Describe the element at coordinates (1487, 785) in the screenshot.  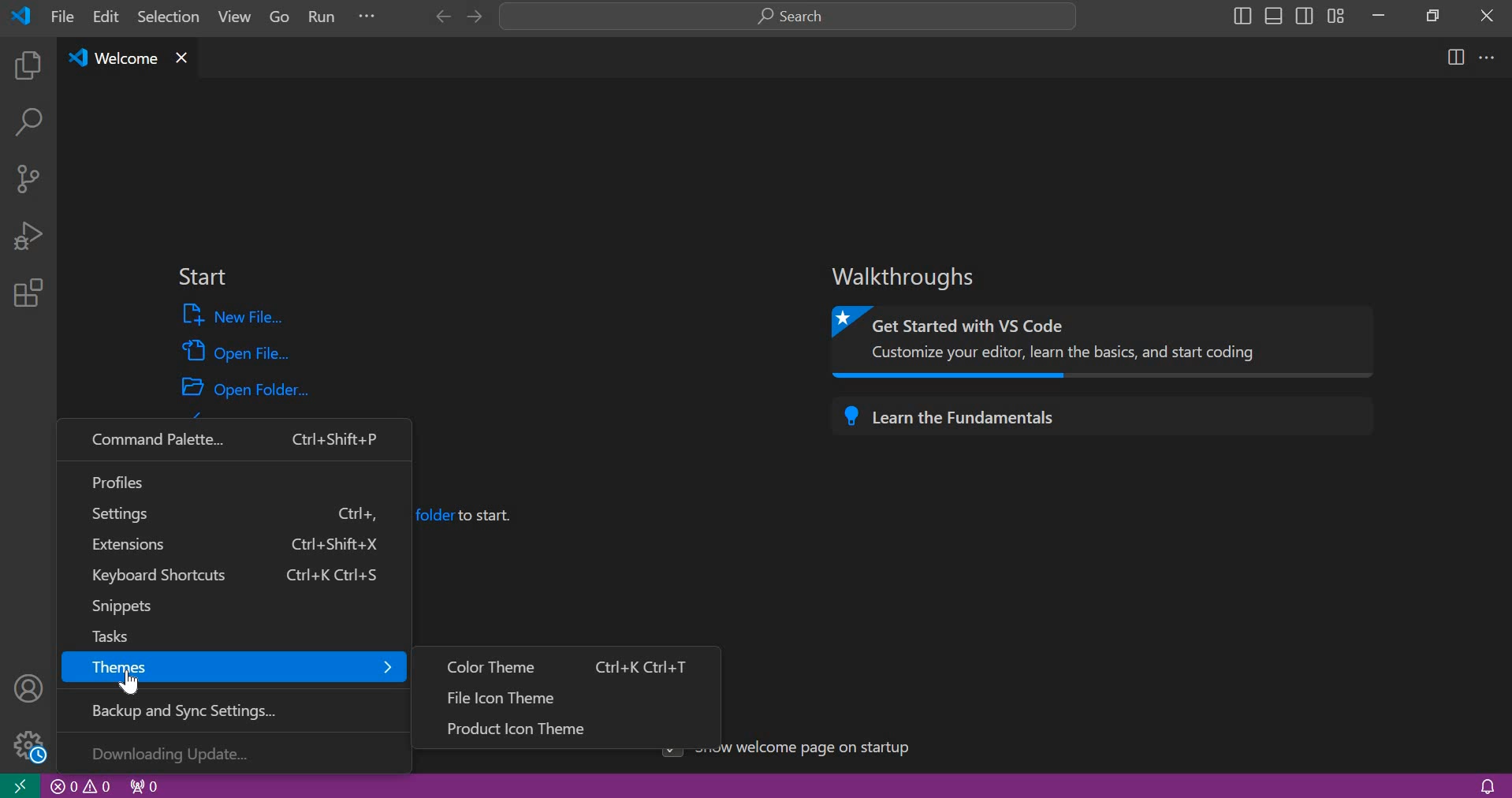
I see `no notifications` at that location.